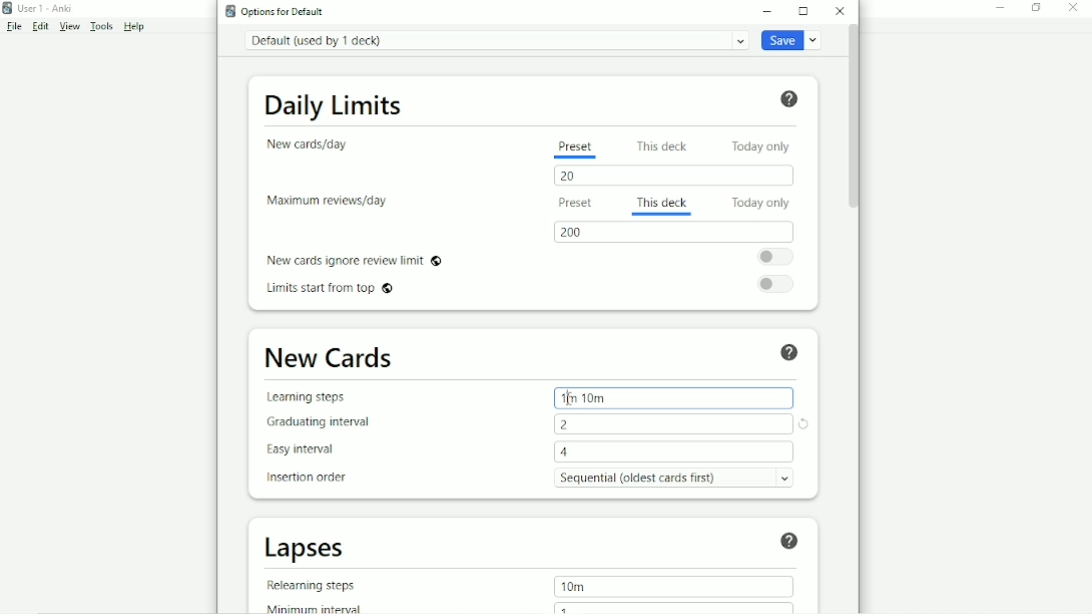  What do you see at coordinates (330, 202) in the screenshot?
I see `Maximum reviews/day` at bounding box center [330, 202].